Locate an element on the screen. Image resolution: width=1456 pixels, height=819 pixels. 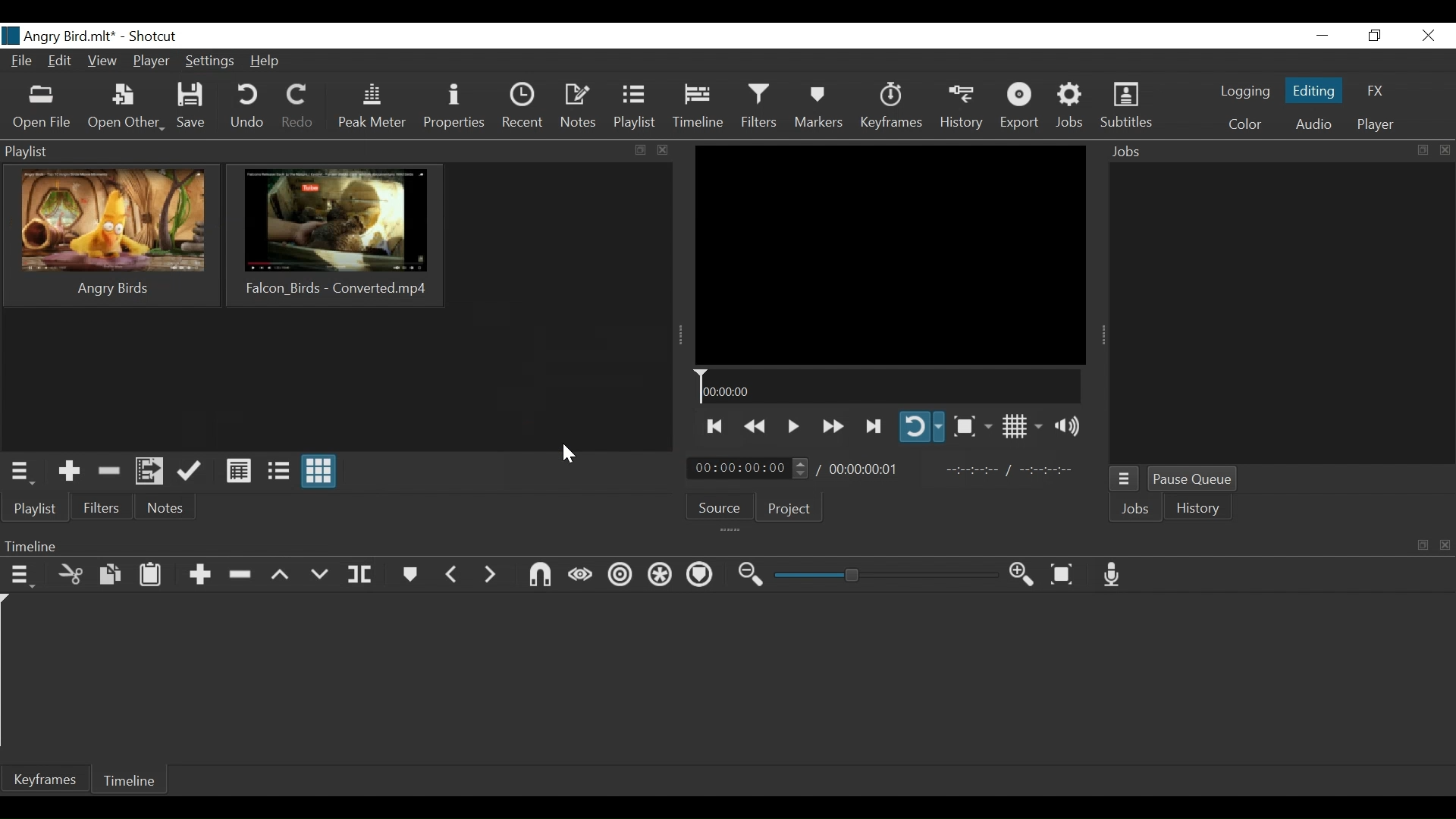
Zoom timeline out is located at coordinates (750, 578).